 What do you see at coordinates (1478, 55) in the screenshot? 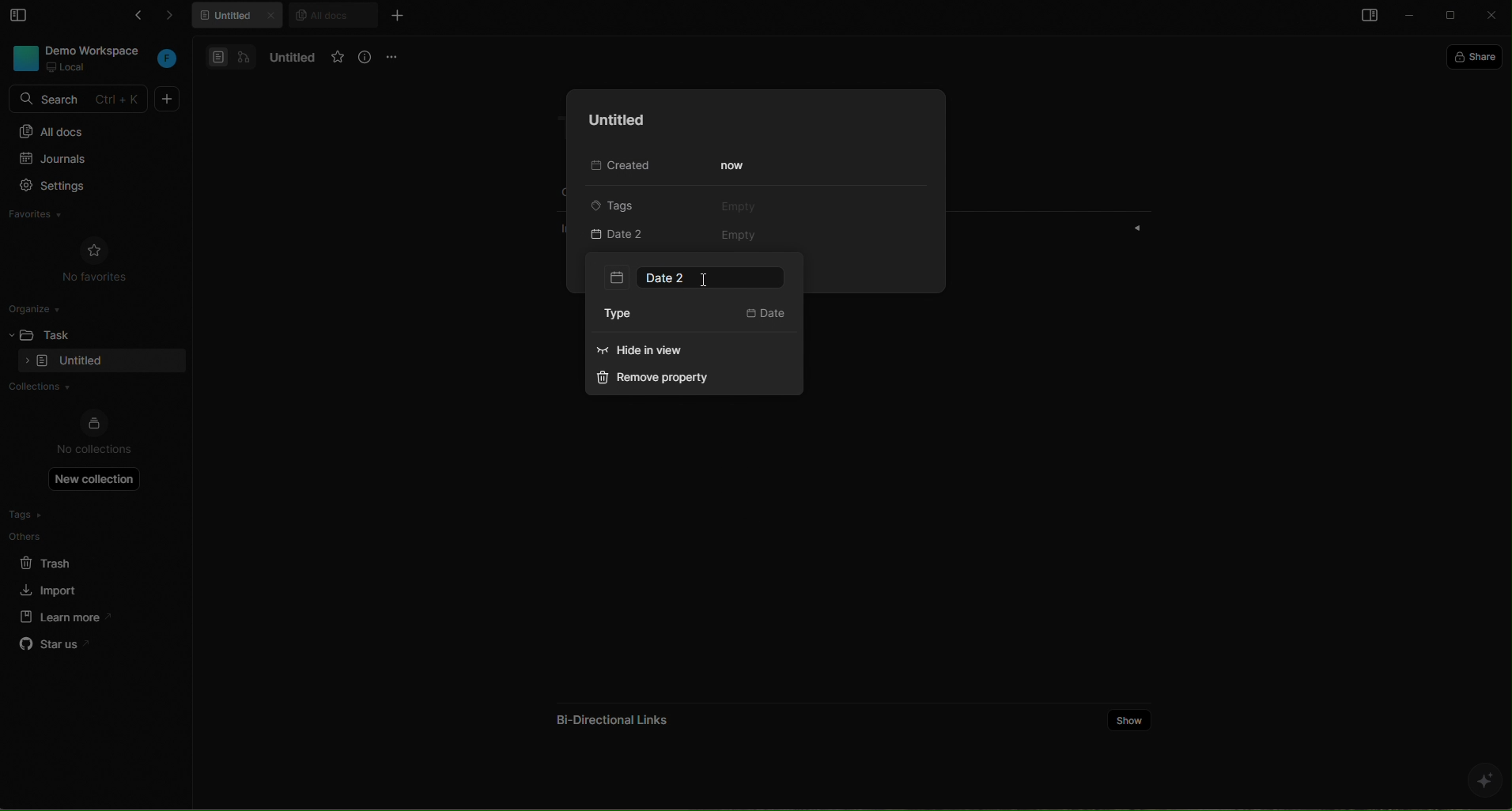
I see `share` at bounding box center [1478, 55].